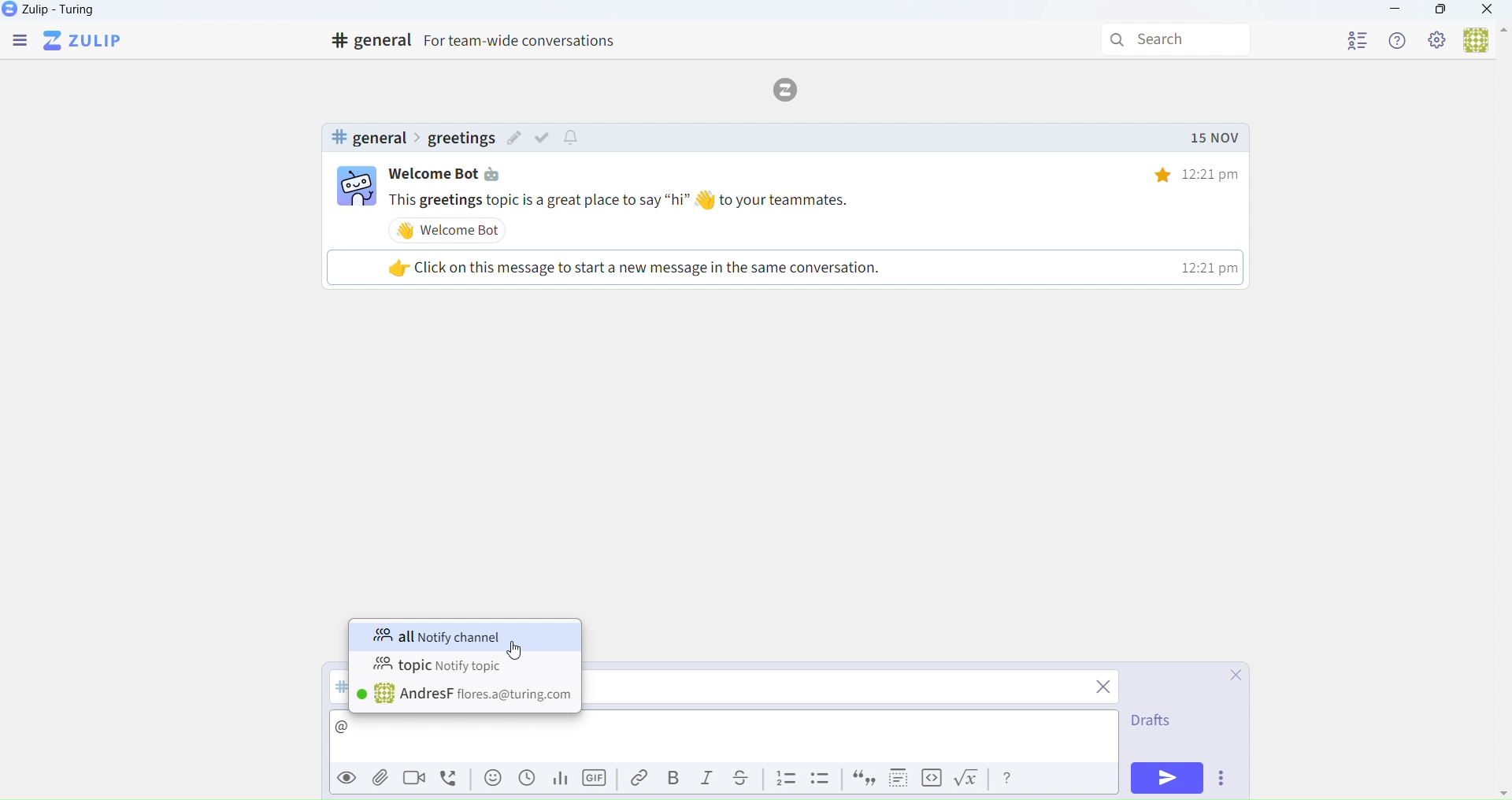 The width and height of the screenshot is (1512, 800). Describe the element at coordinates (786, 779) in the screenshot. I see `List` at that location.